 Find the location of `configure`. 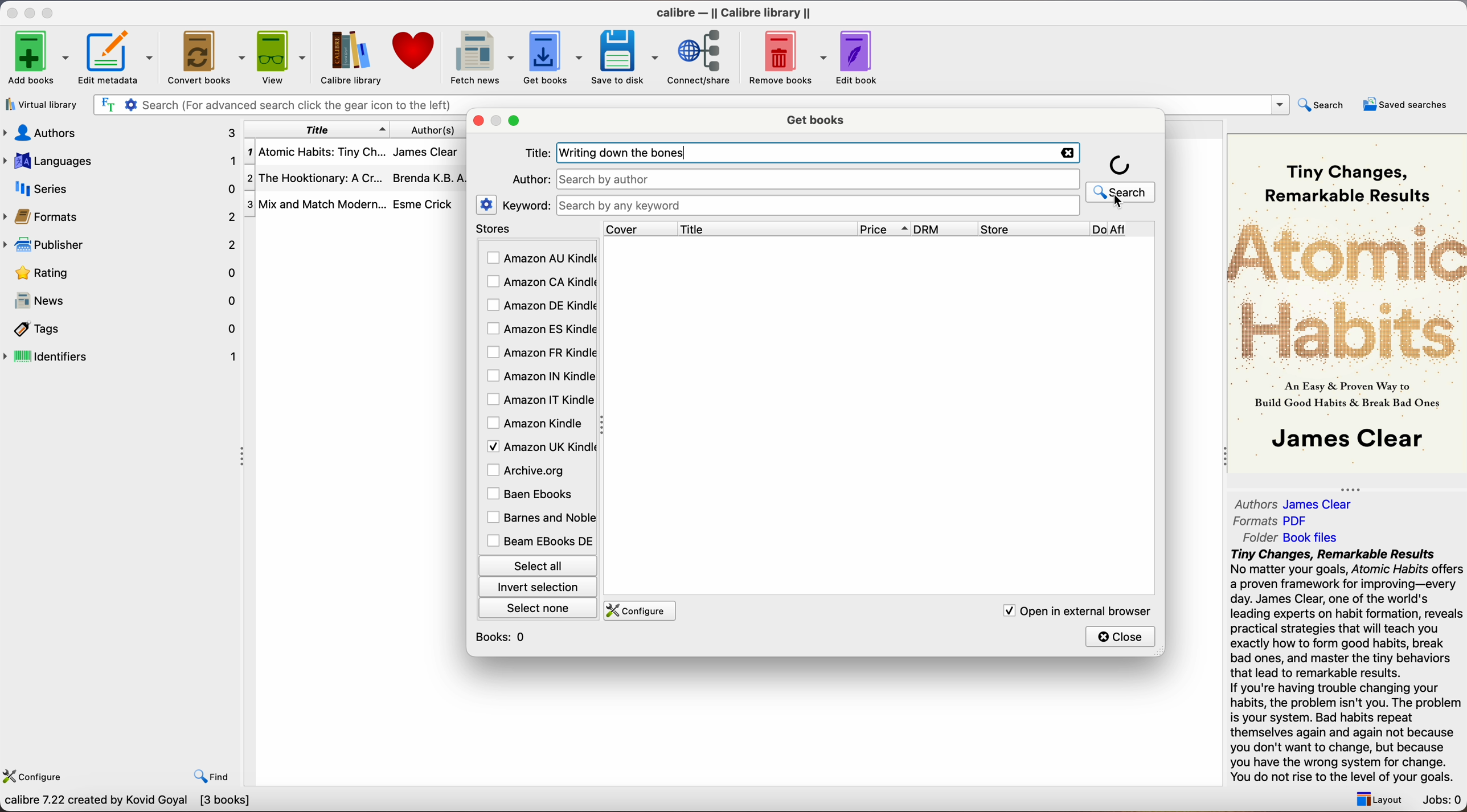

configure is located at coordinates (637, 611).